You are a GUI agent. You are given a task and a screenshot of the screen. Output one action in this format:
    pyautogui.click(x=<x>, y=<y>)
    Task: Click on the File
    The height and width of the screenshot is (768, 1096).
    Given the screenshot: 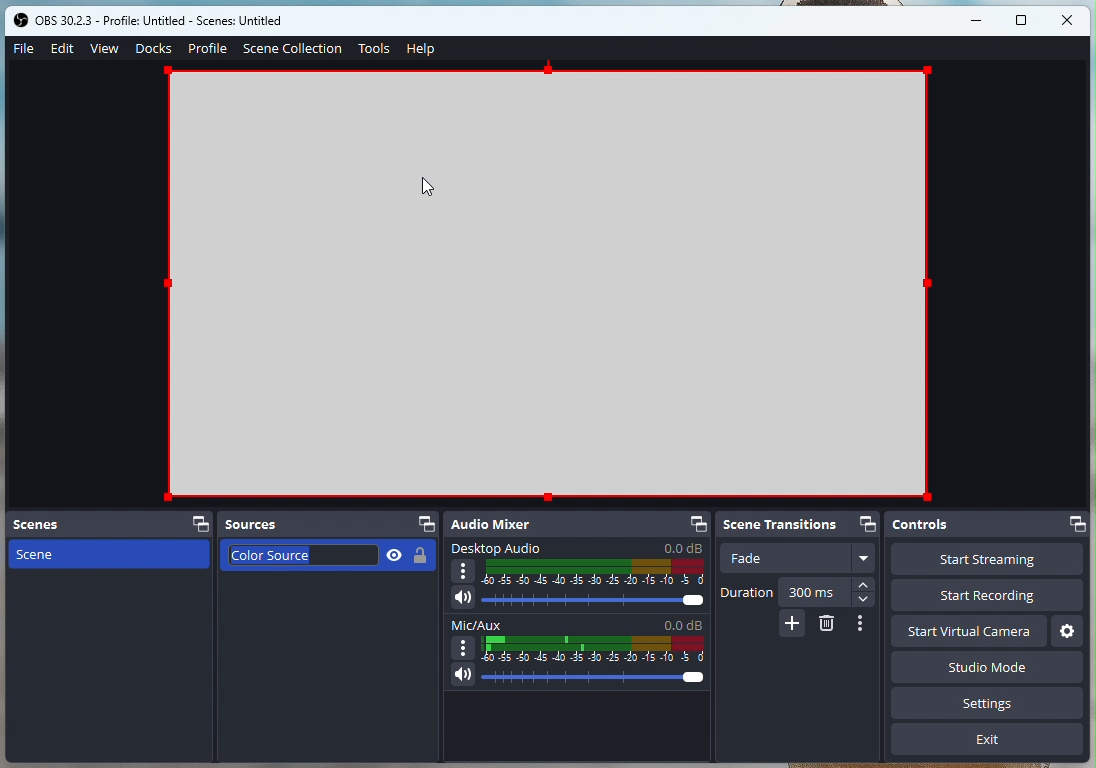 What is the action you would take?
    pyautogui.click(x=22, y=49)
    